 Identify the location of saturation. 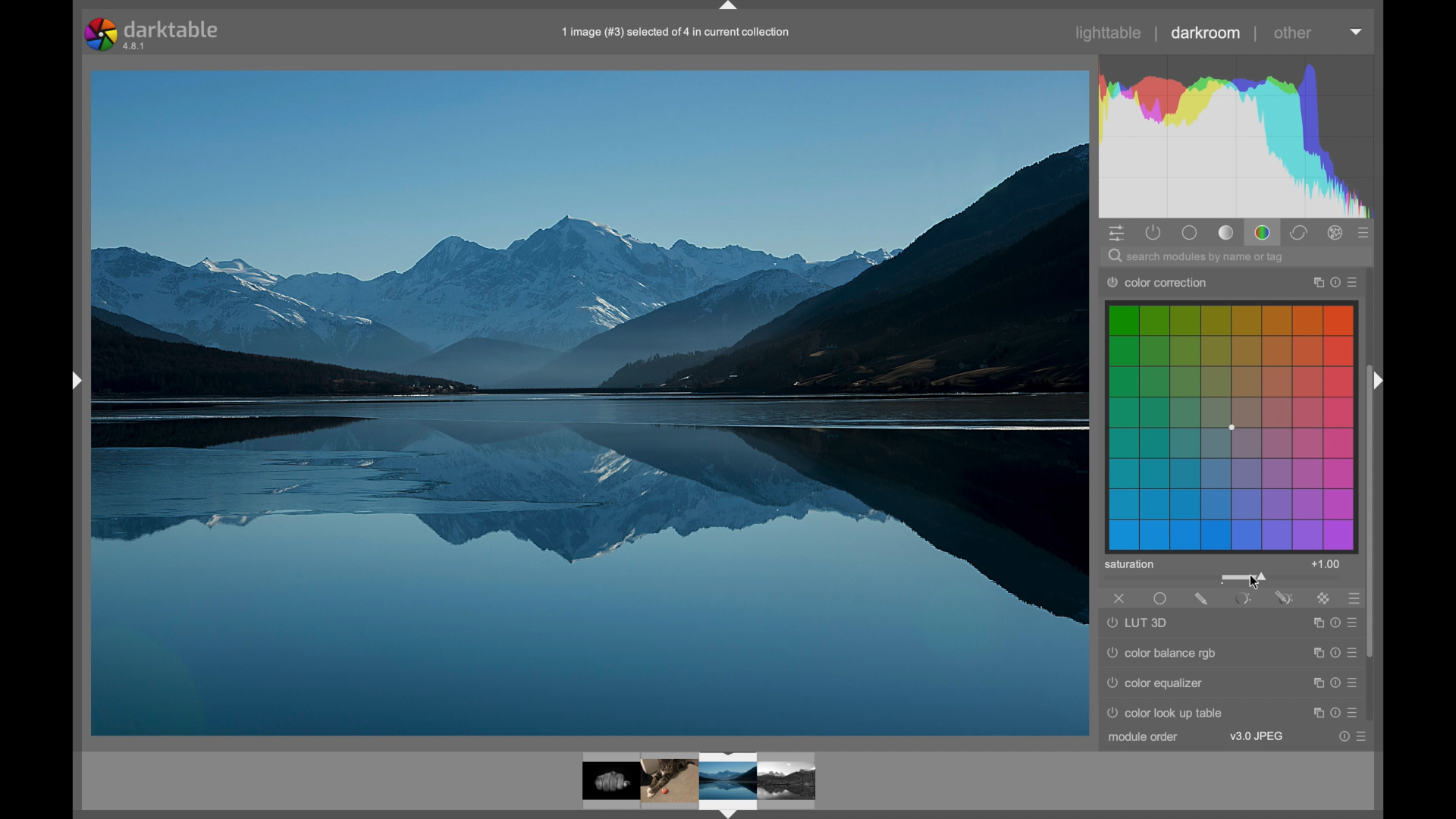
(1129, 565).